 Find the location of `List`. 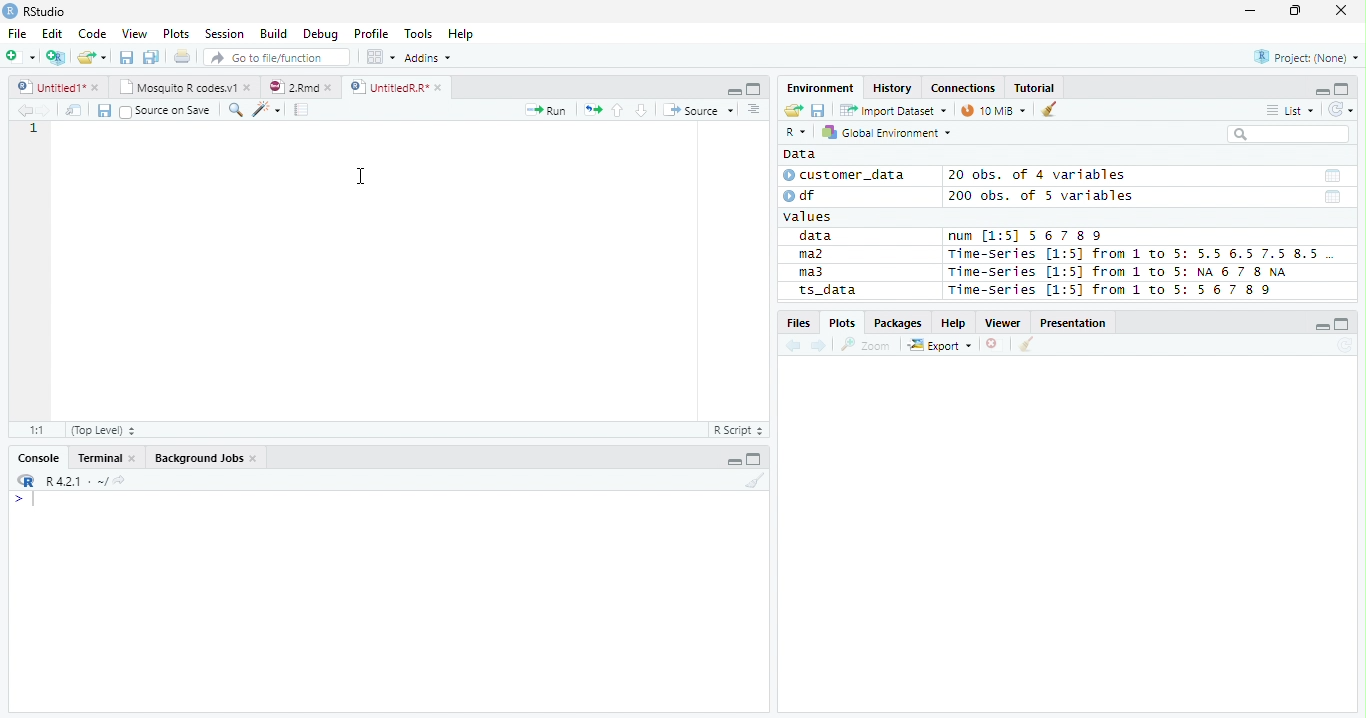

List is located at coordinates (1289, 111).